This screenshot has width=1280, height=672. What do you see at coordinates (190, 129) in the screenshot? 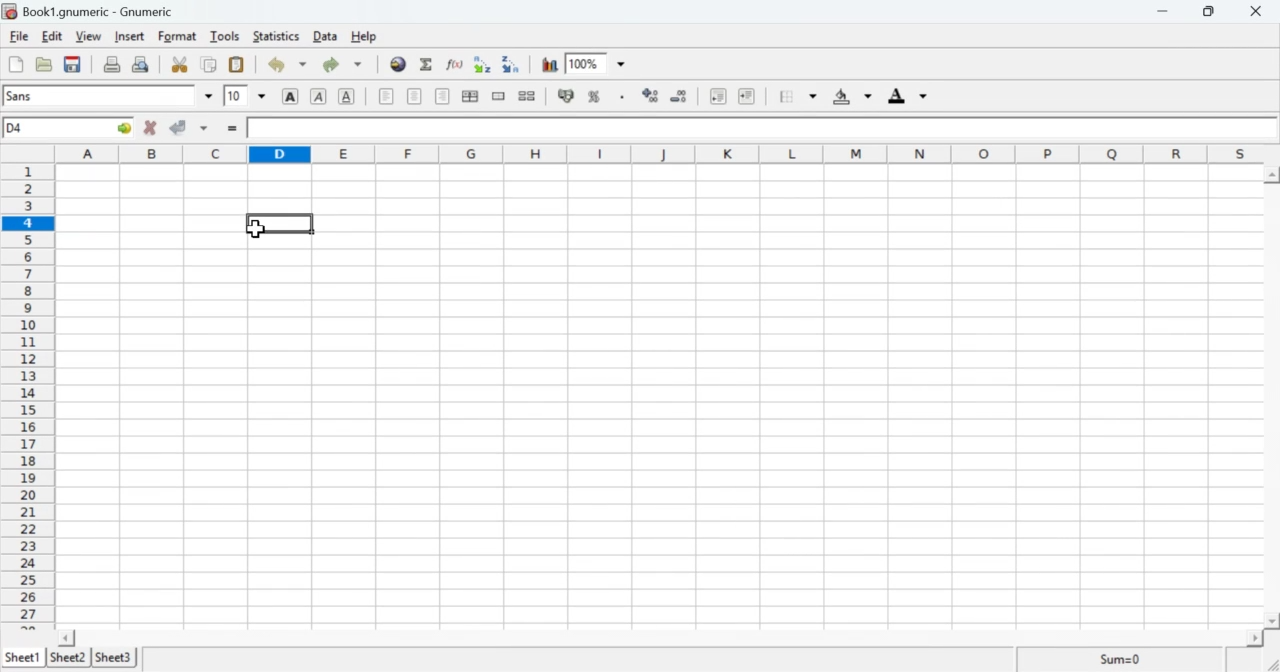
I see `Accept change` at bounding box center [190, 129].